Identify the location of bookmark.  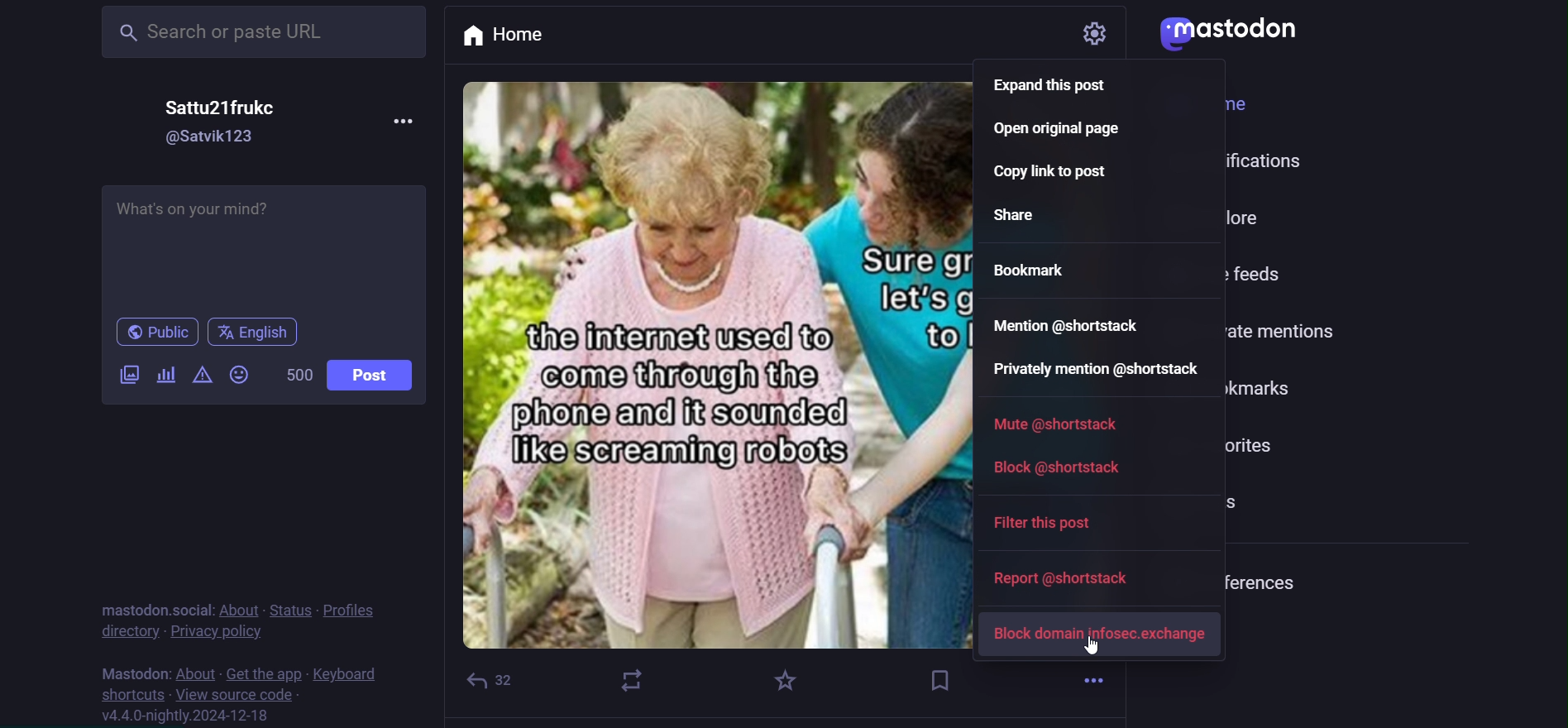
(1026, 269).